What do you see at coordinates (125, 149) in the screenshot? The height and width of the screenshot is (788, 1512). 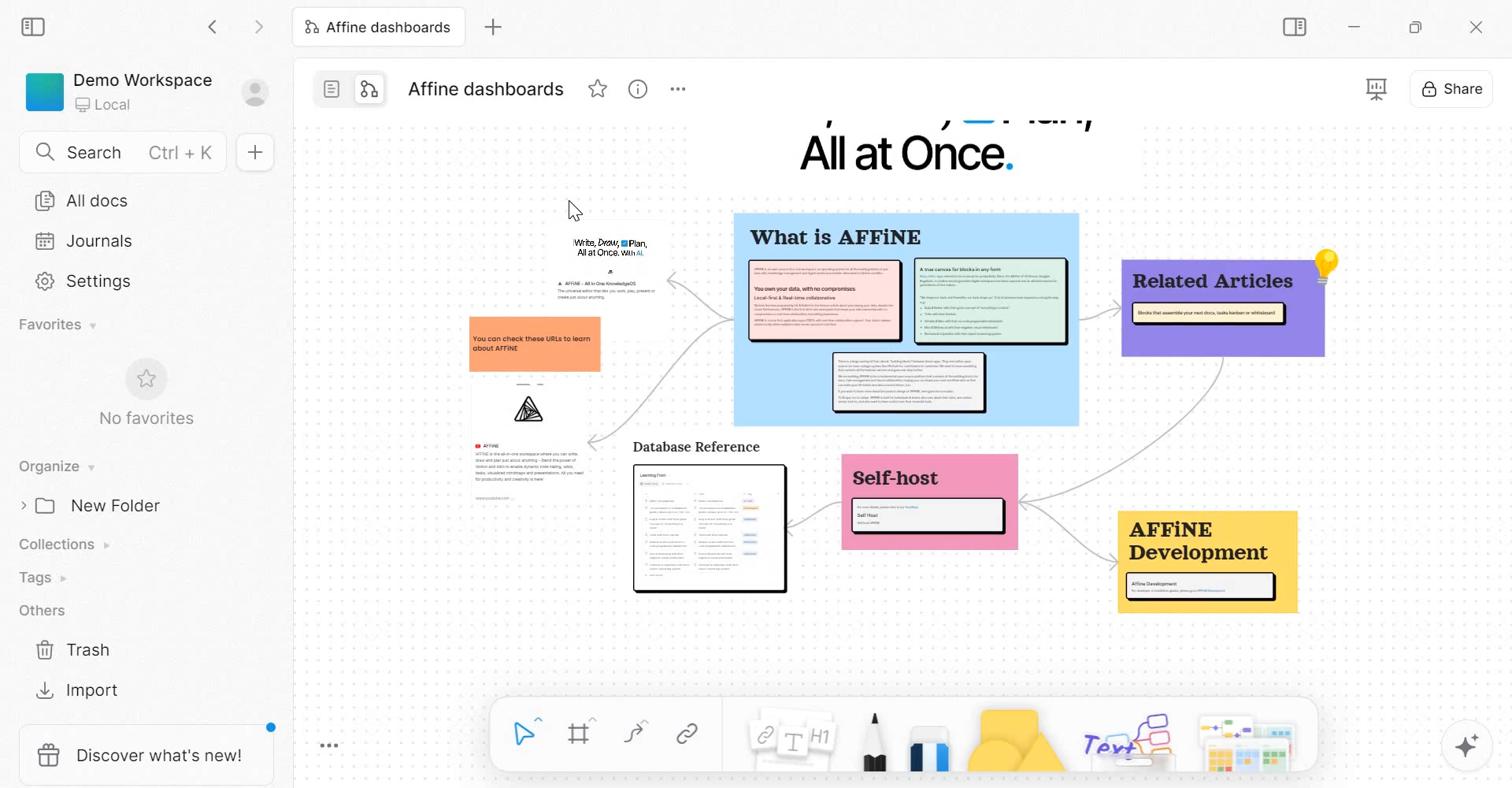 I see `Search Ctrl+K` at bounding box center [125, 149].